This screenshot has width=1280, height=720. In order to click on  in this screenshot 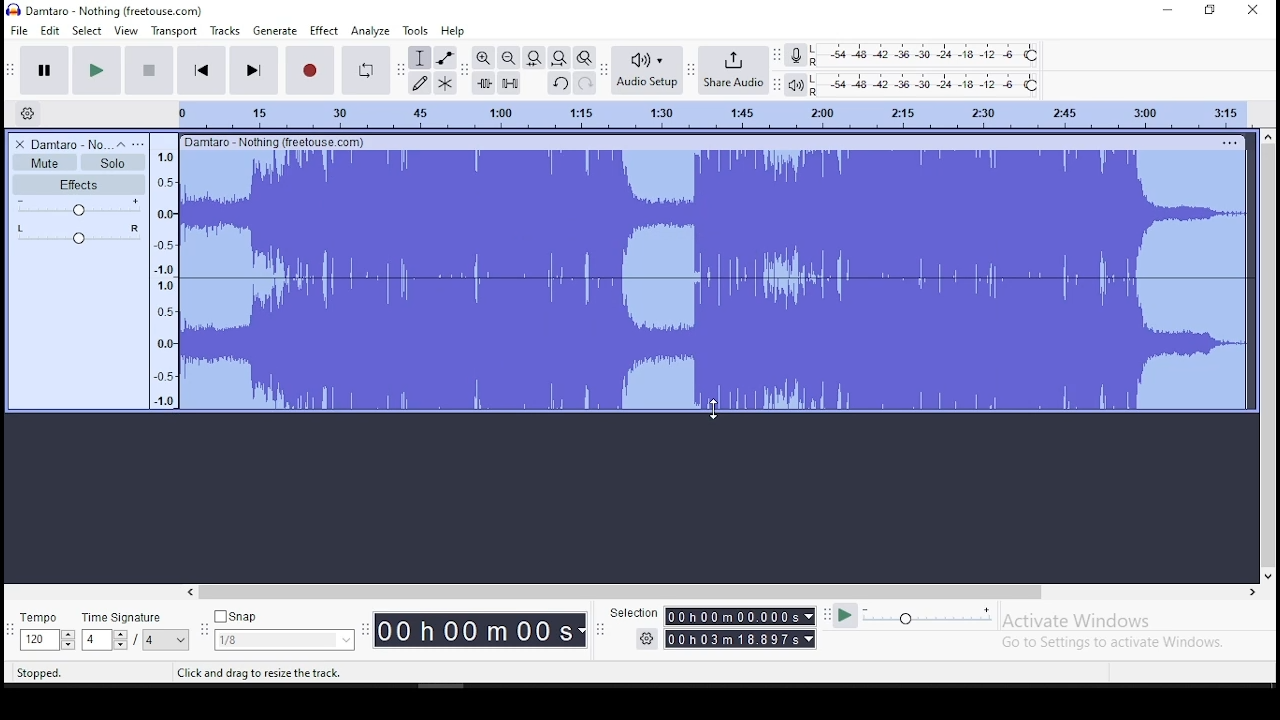, I will do `click(363, 632)`.